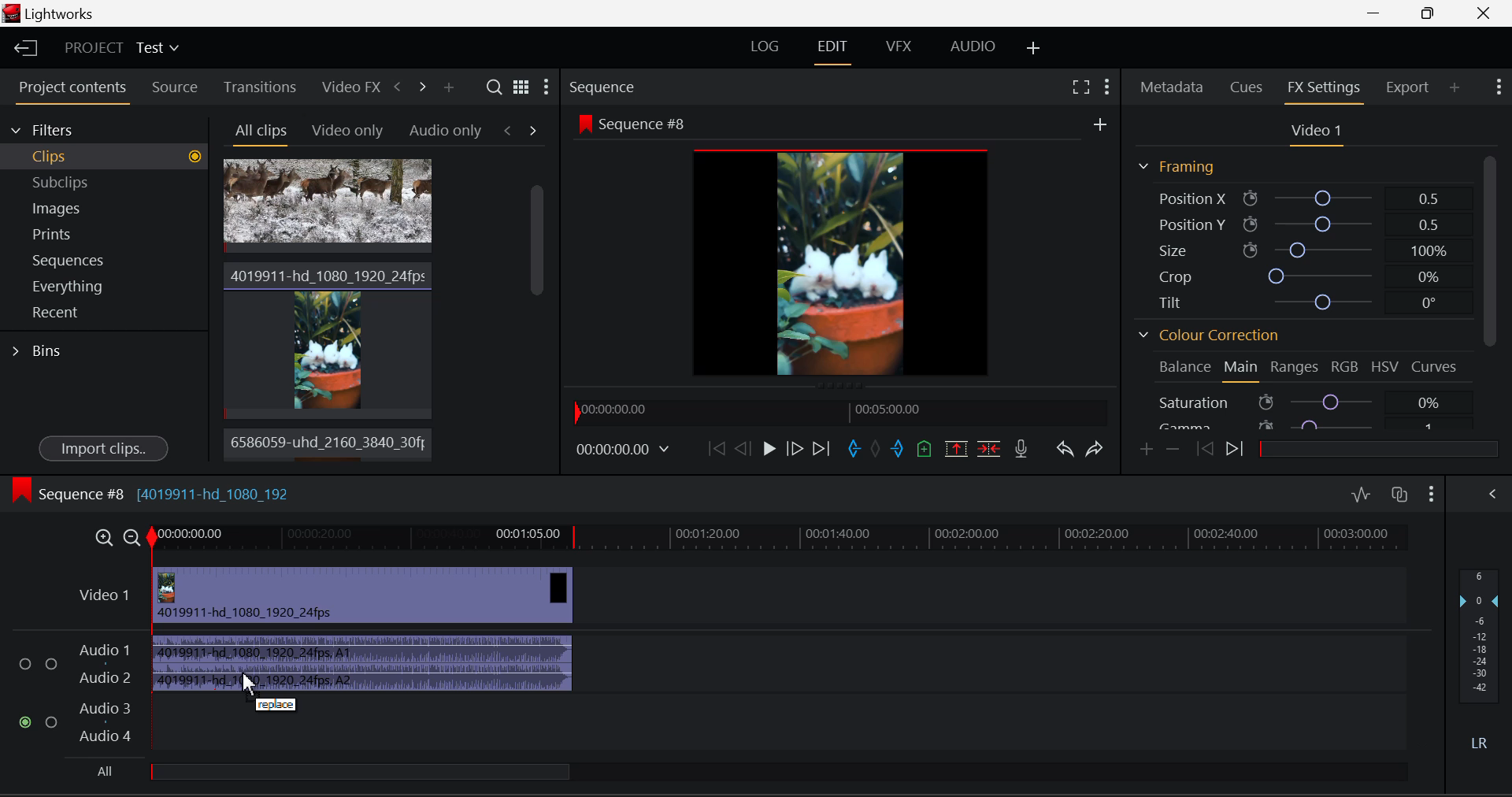 Image resolution: width=1512 pixels, height=797 pixels. Describe the element at coordinates (1147, 450) in the screenshot. I see `Add keyframe` at that location.